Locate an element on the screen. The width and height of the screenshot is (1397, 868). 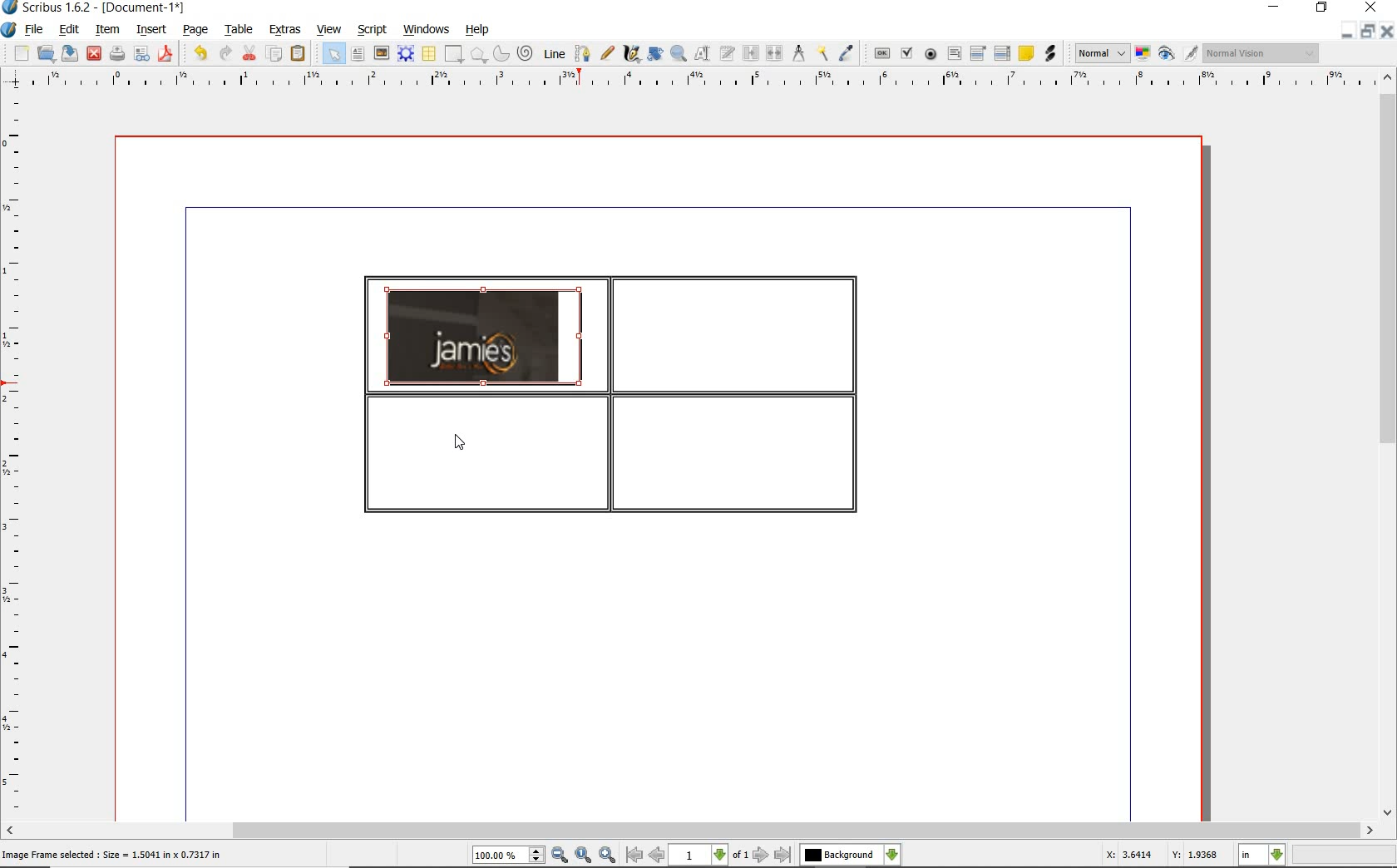
go to previous page is located at coordinates (656, 856).